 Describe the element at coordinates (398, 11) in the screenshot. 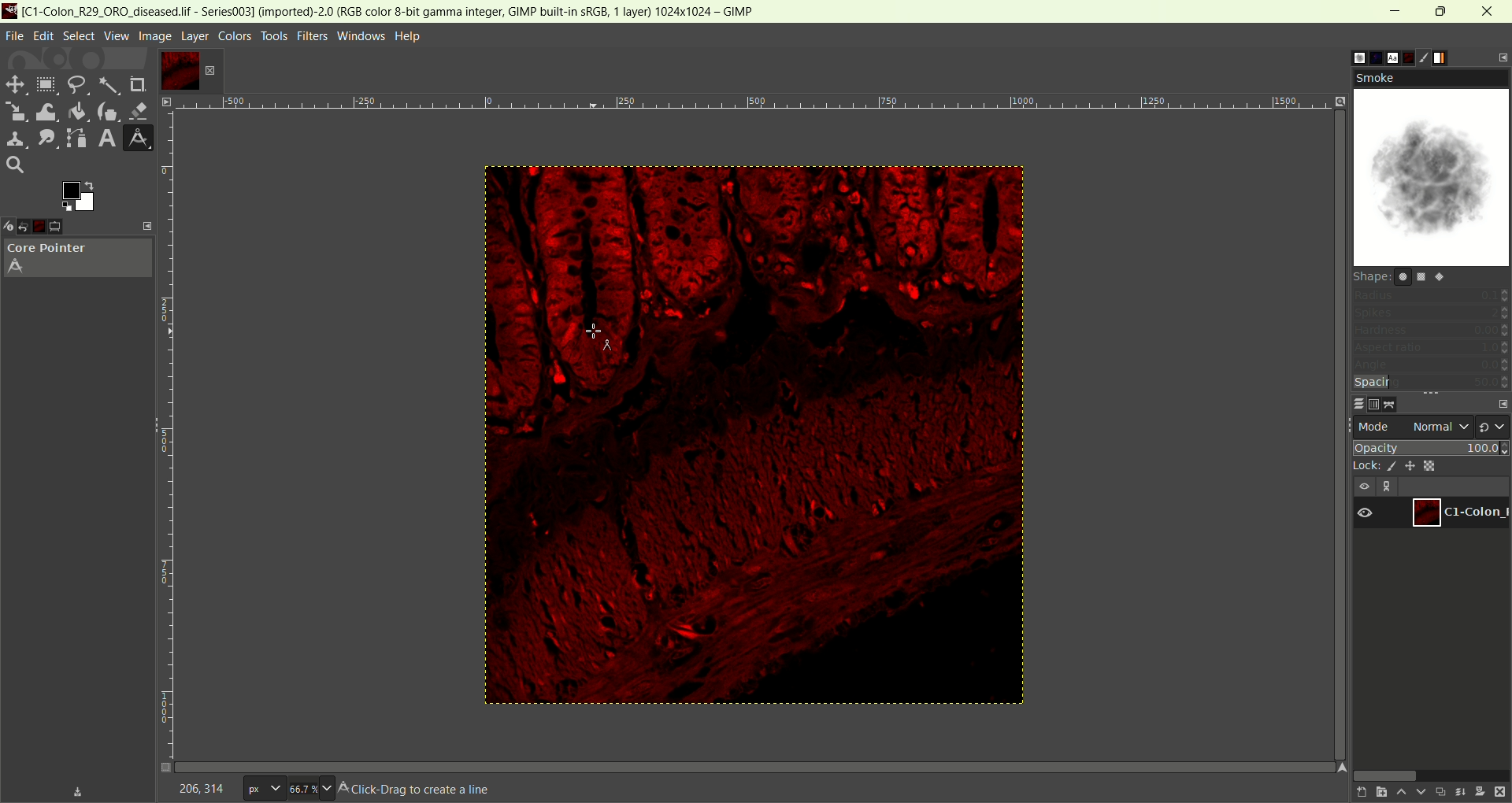

I see `title` at that location.